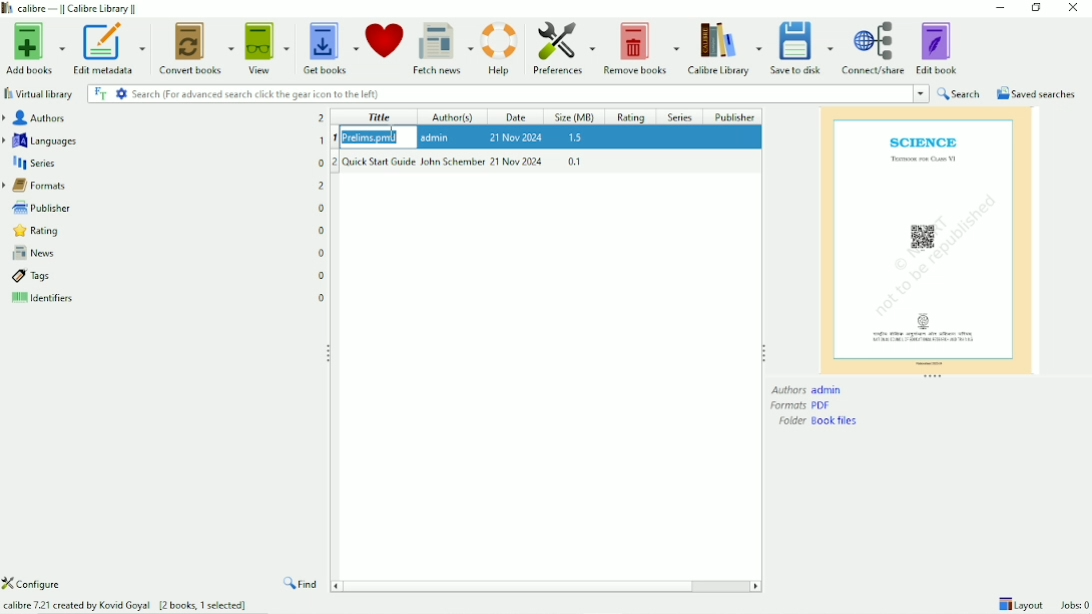 The height and width of the screenshot is (614, 1092). Describe the element at coordinates (111, 48) in the screenshot. I see `Edit metadata` at that location.